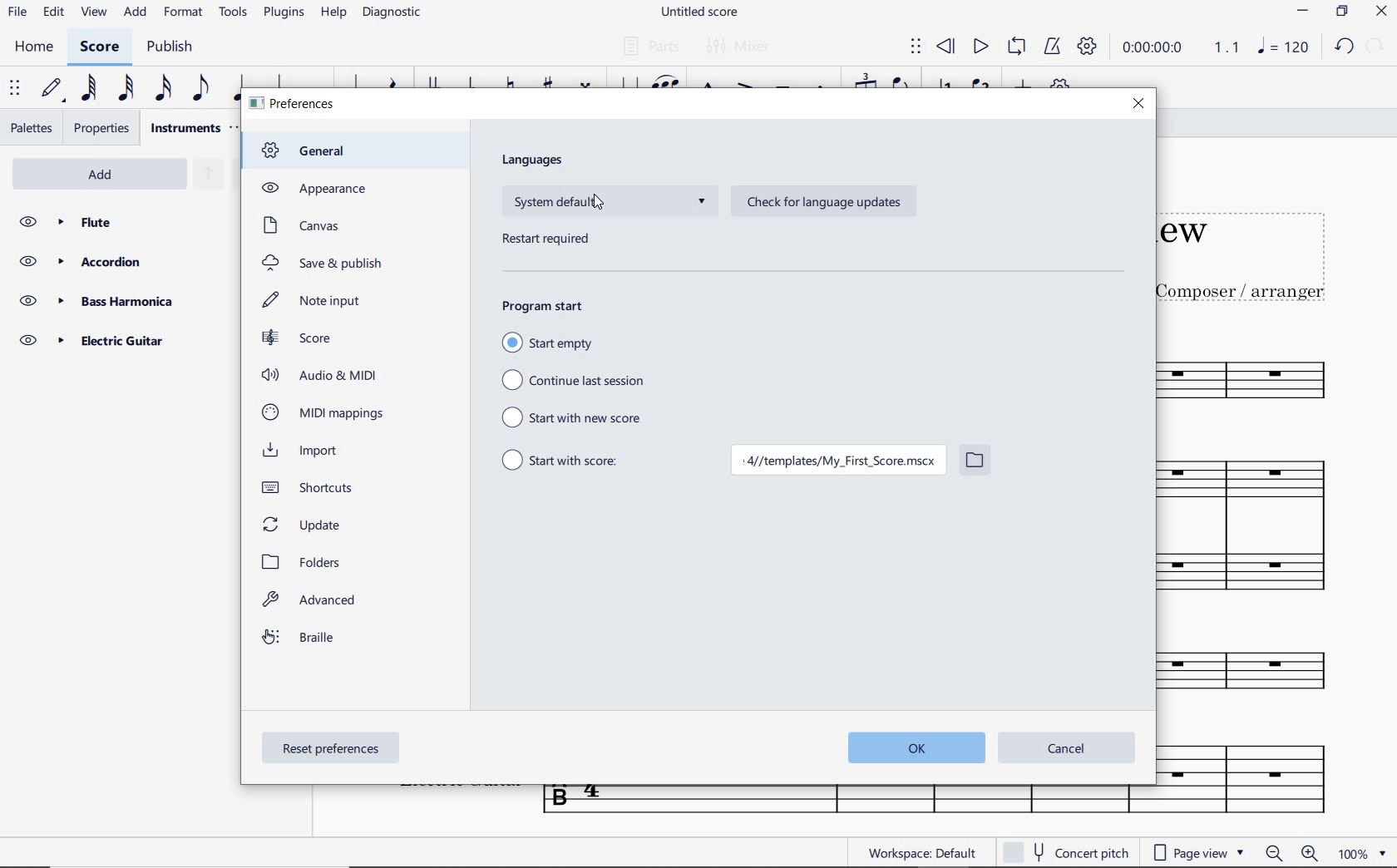 Image resolution: width=1397 pixels, height=868 pixels. What do you see at coordinates (102, 47) in the screenshot?
I see `score` at bounding box center [102, 47].